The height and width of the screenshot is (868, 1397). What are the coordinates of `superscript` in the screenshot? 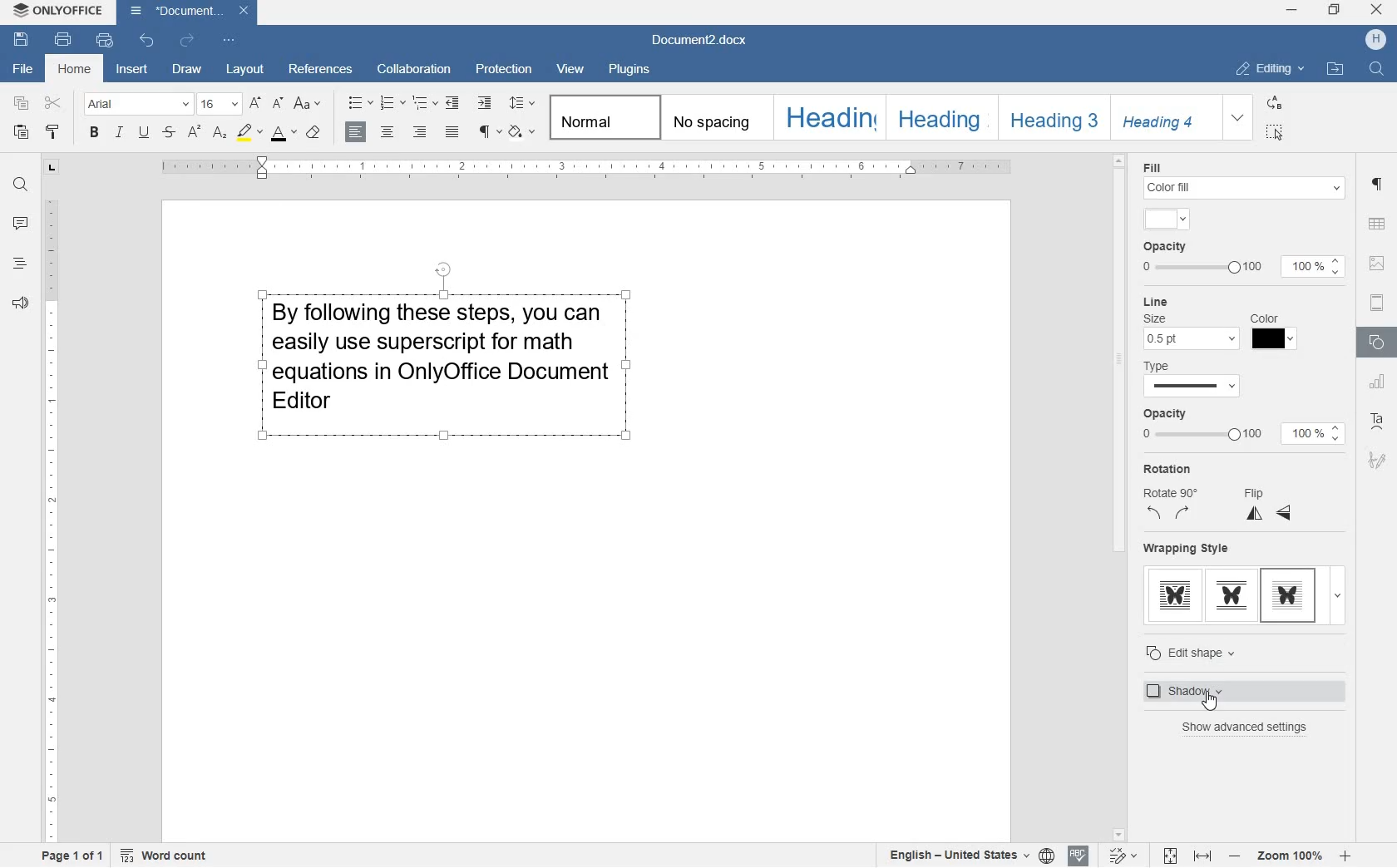 It's located at (194, 133).